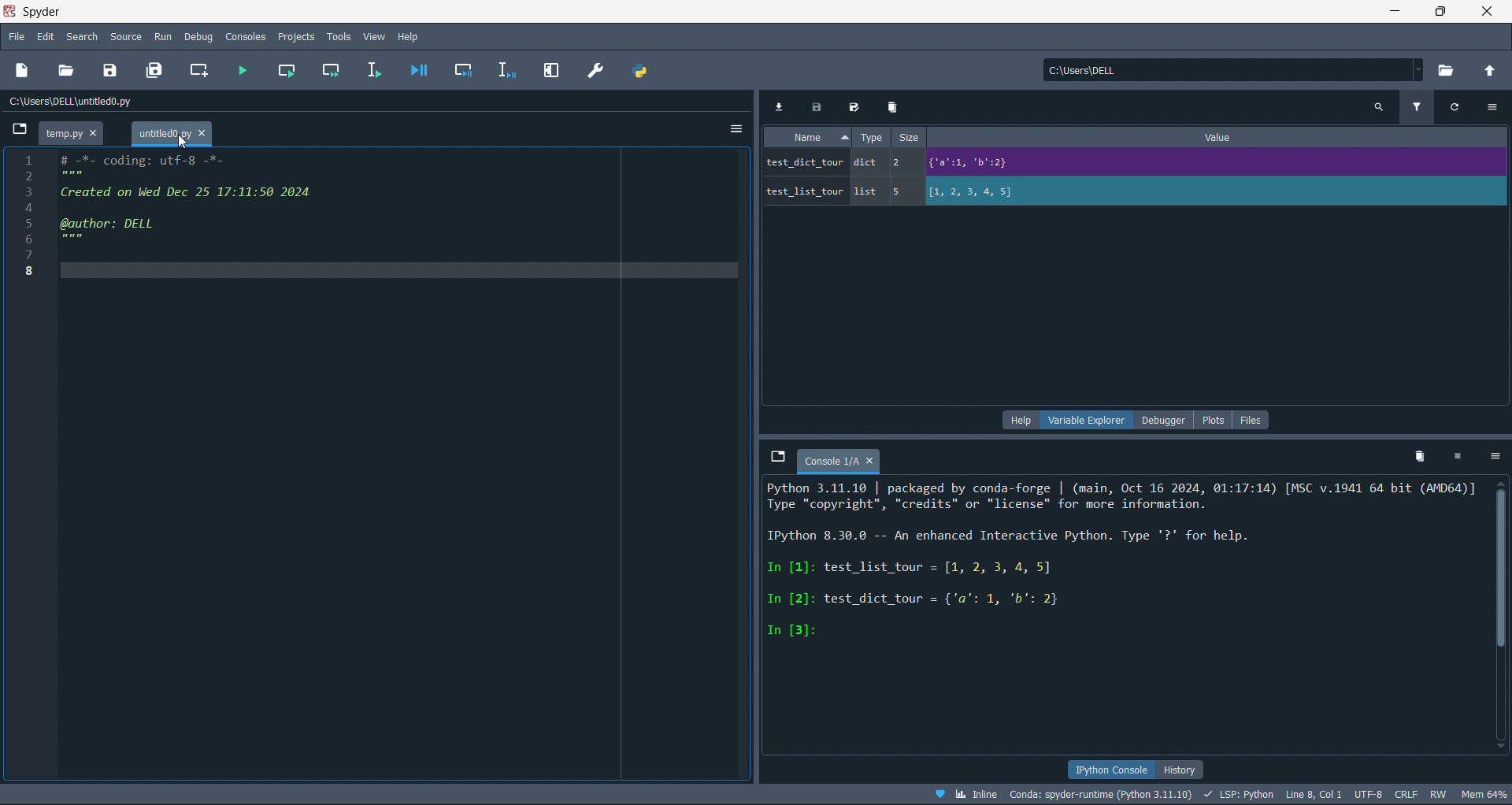  Describe the element at coordinates (80, 37) in the screenshot. I see `search` at that location.